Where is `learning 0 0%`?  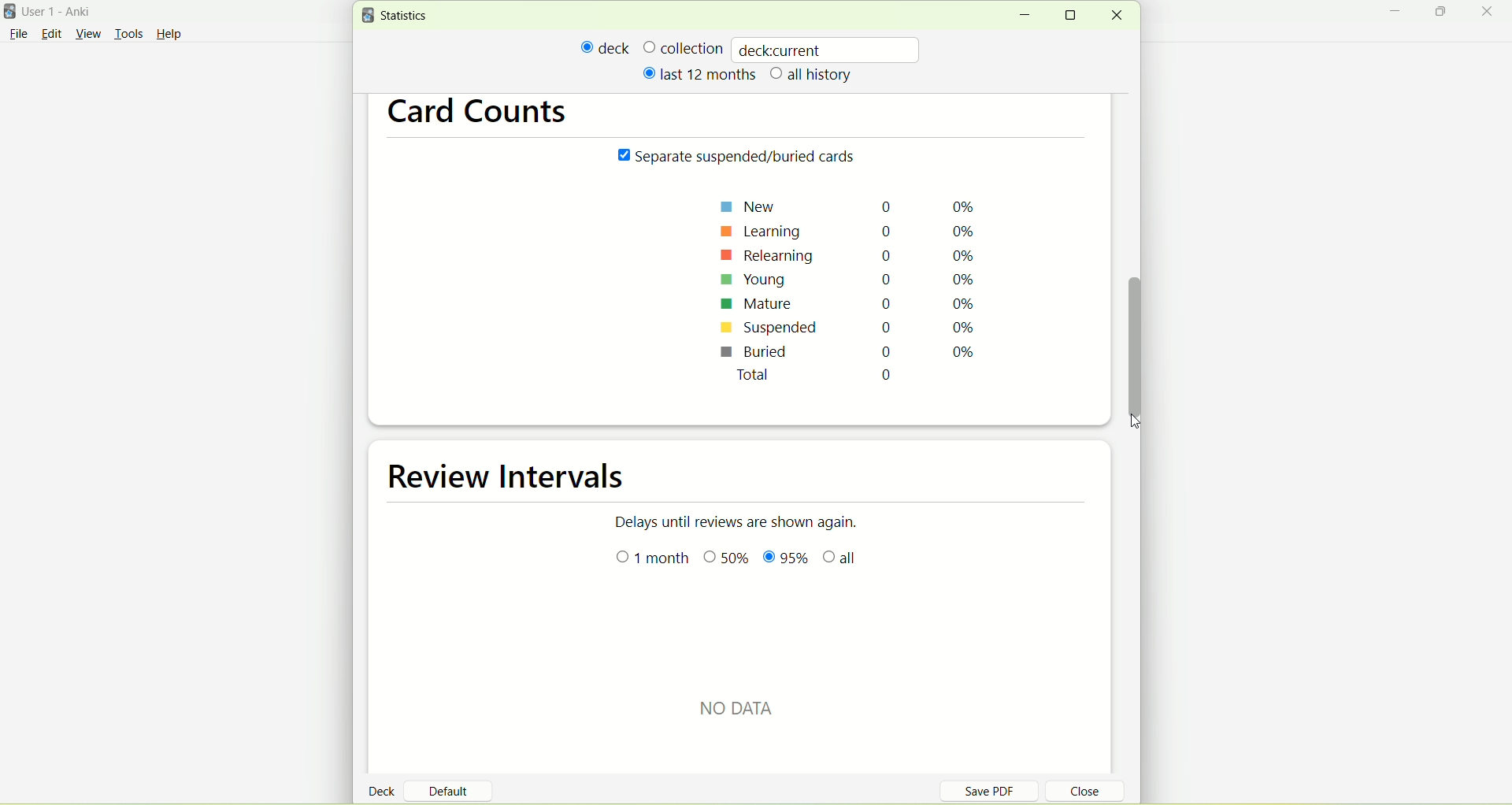
learning 0 0% is located at coordinates (854, 228).